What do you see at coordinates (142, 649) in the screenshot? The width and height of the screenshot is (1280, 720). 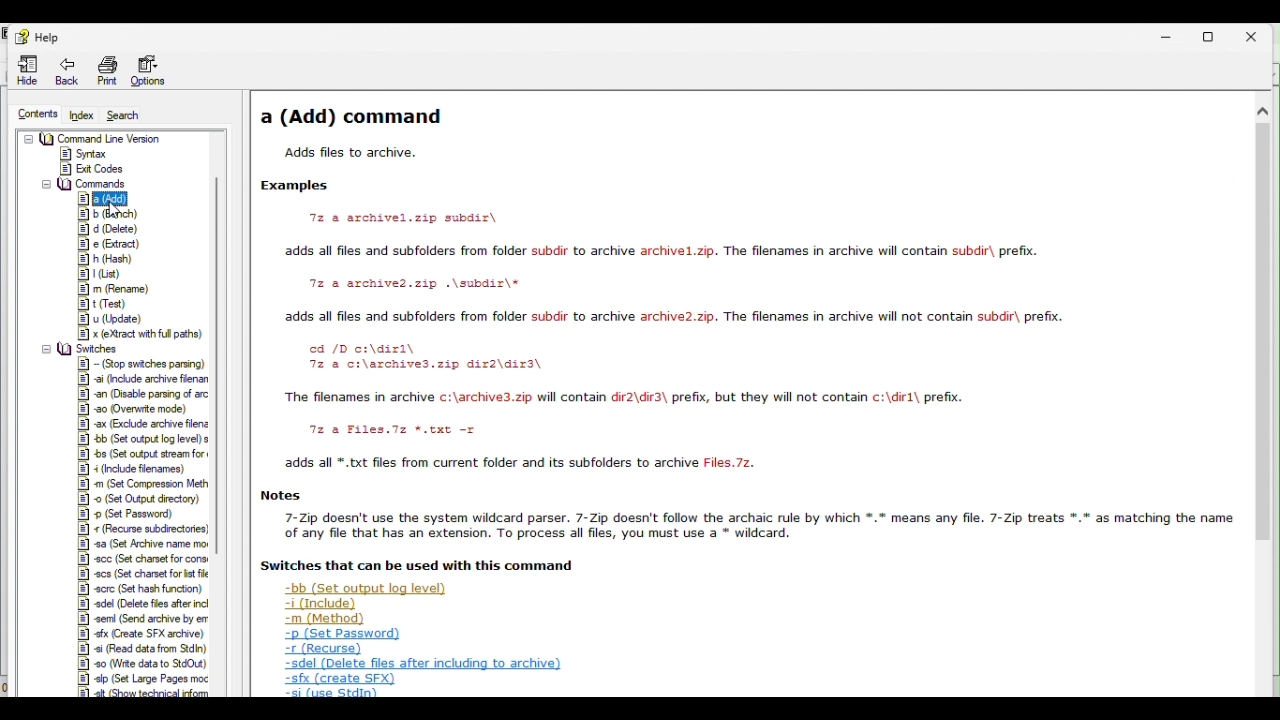 I see `si` at bounding box center [142, 649].